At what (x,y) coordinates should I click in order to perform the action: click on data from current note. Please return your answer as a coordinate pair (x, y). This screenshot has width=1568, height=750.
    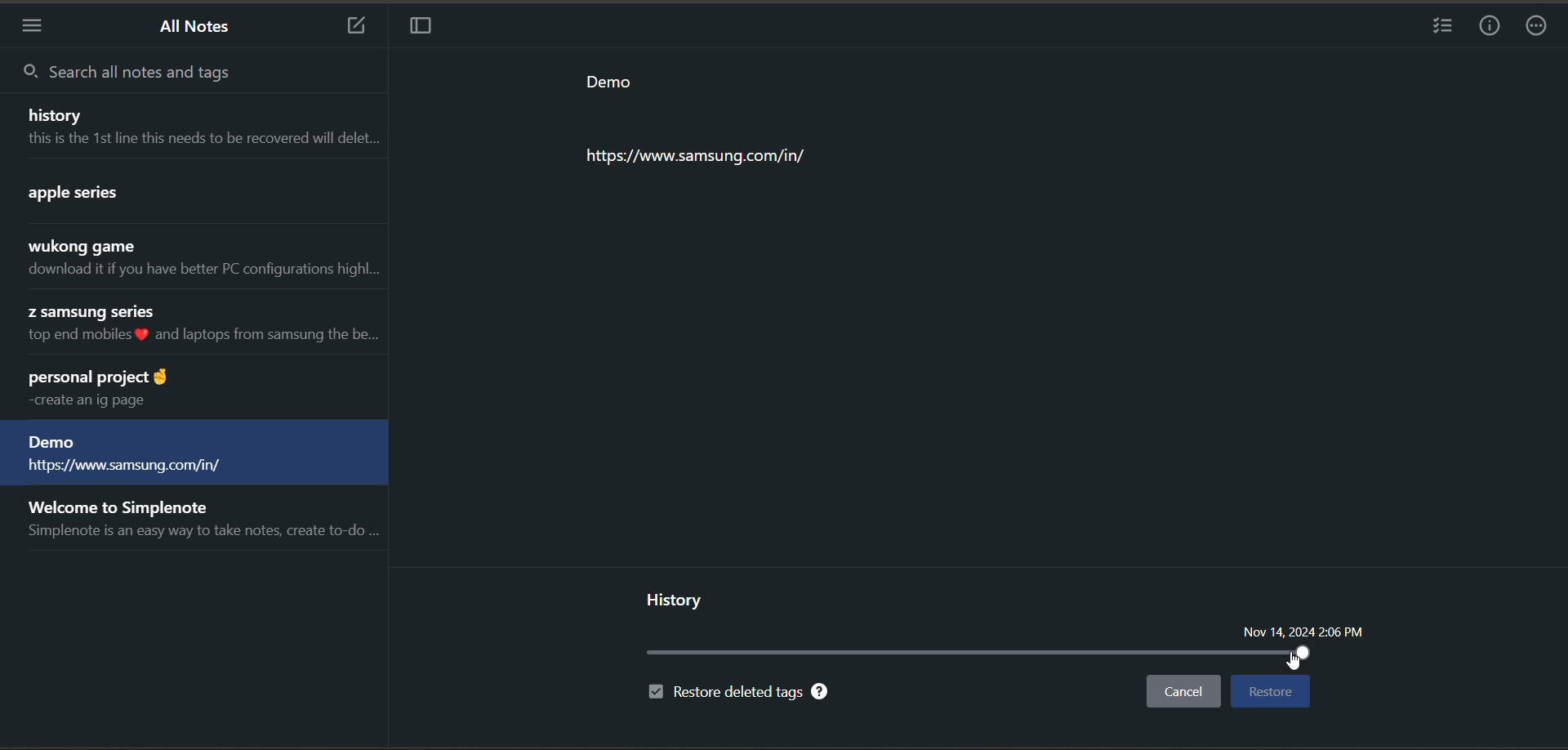
    Looking at the image, I should click on (737, 123).